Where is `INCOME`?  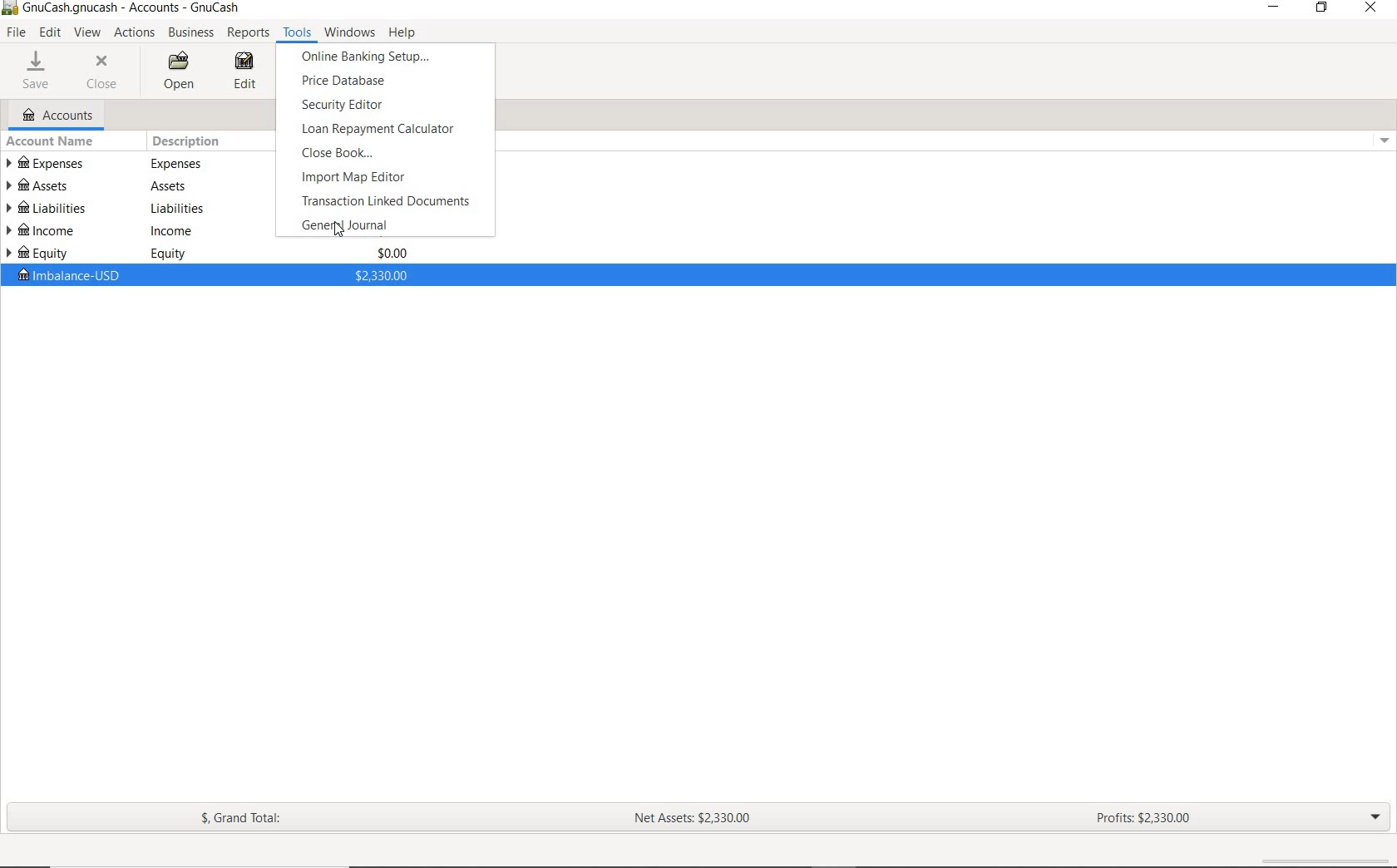 INCOME is located at coordinates (136, 230).